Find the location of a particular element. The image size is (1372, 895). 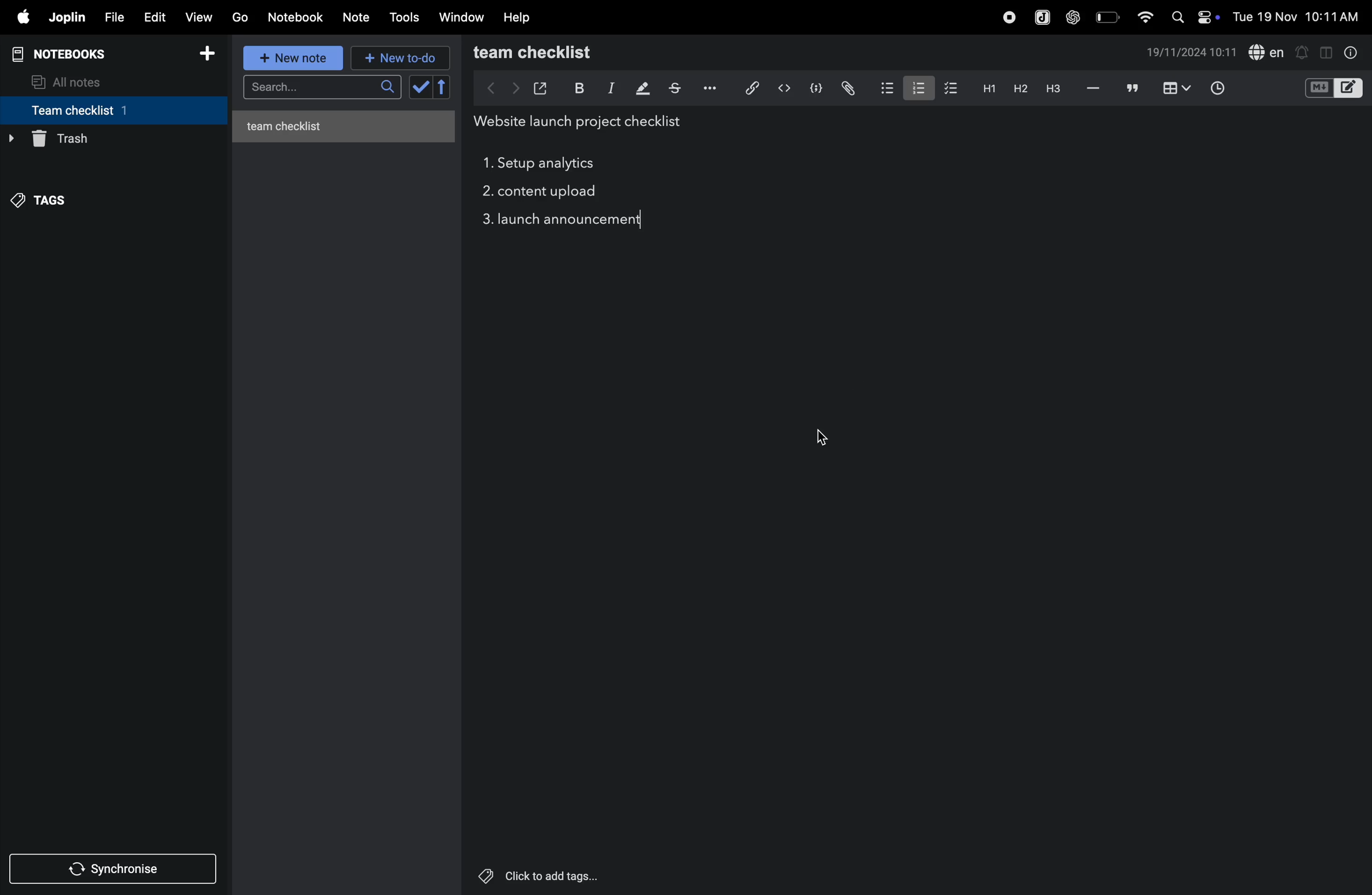

task 3 is located at coordinates (487, 219).